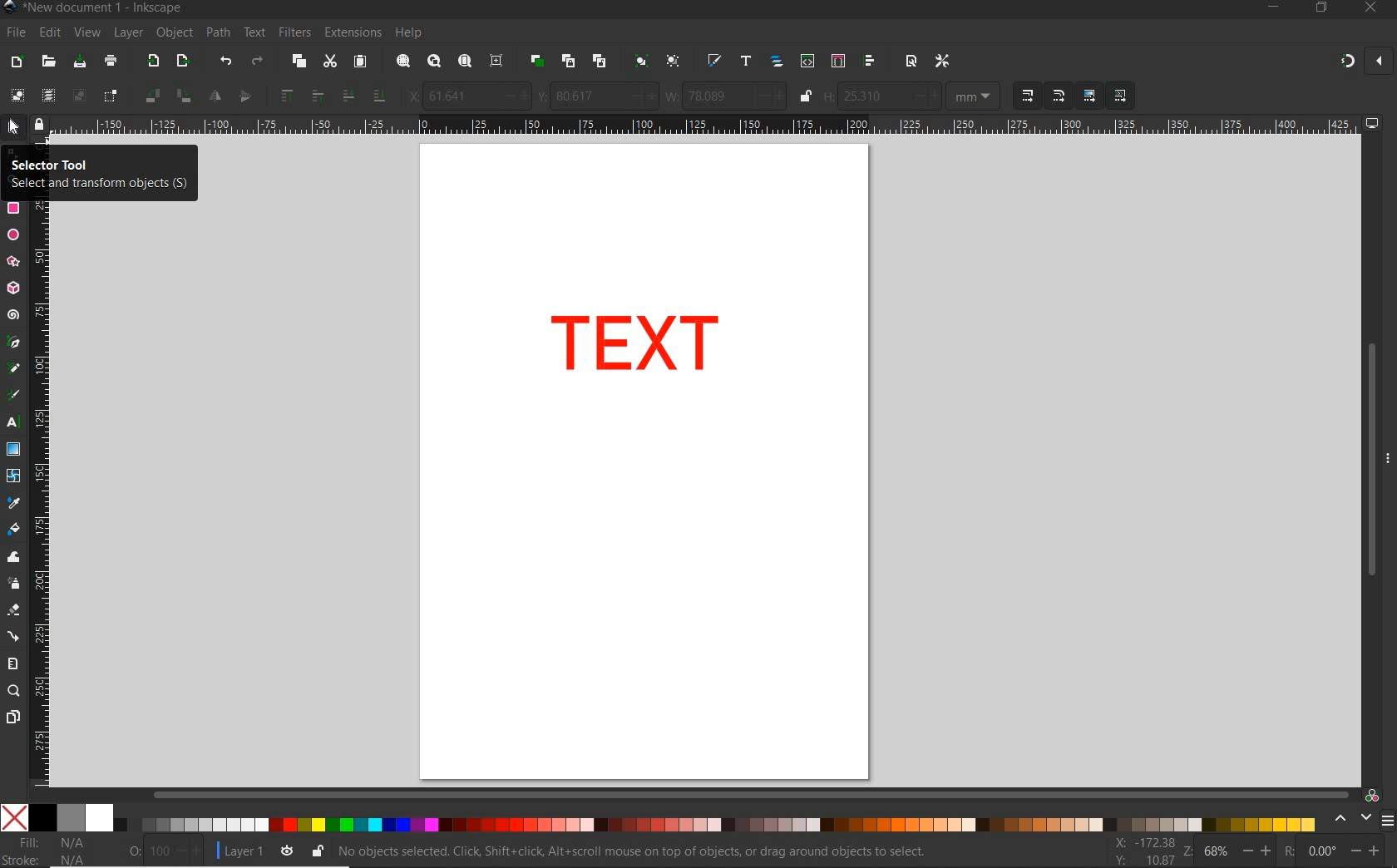  What do you see at coordinates (13, 583) in the screenshot?
I see `spray tool` at bounding box center [13, 583].